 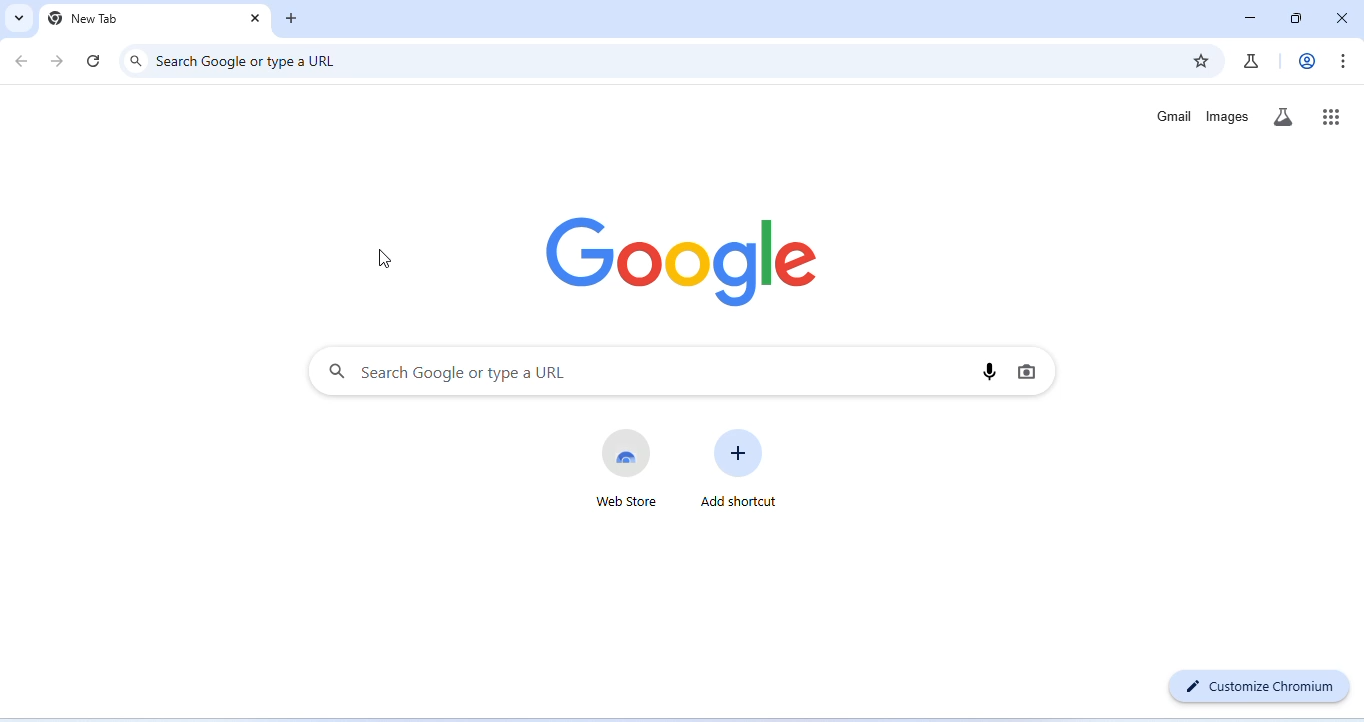 I want to click on refresh, so click(x=95, y=60).